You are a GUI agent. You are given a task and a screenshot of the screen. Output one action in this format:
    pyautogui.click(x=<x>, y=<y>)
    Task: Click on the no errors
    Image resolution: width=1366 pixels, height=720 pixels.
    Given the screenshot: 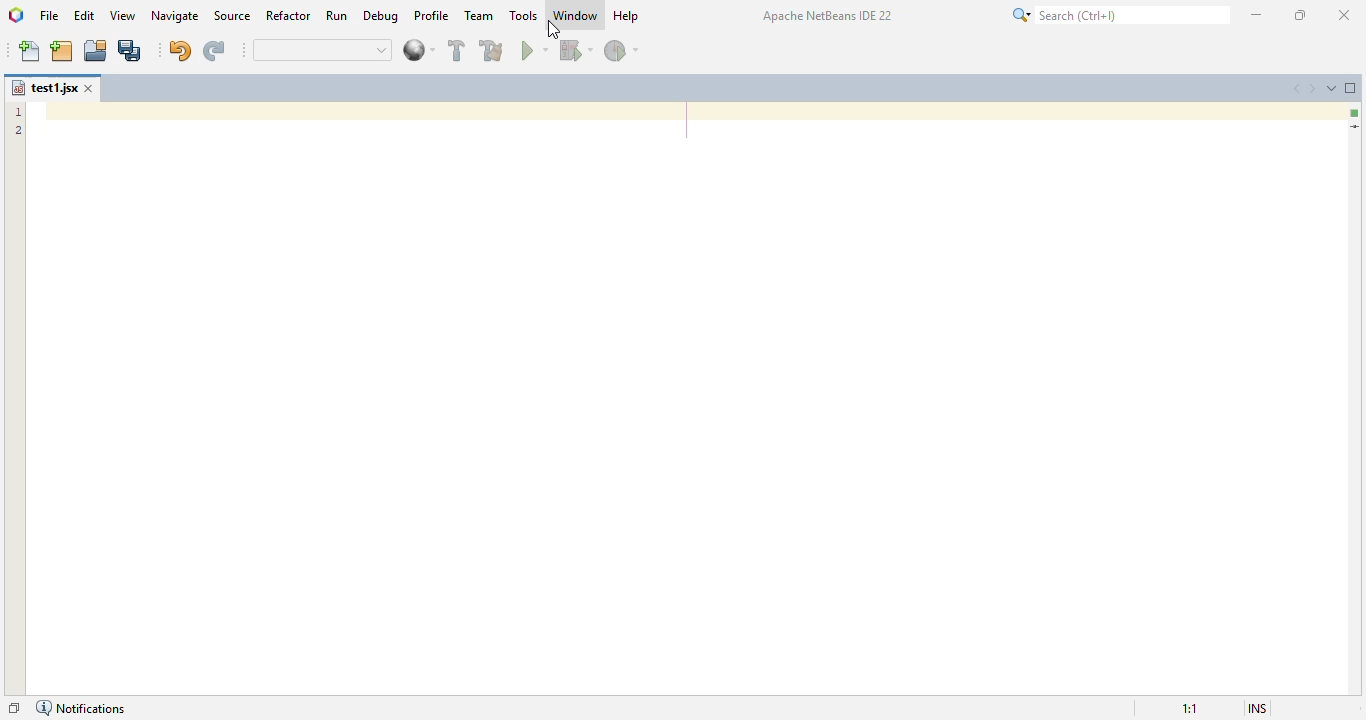 What is the action you would take?
    pyautogui.click(x=1353, y=113)
    